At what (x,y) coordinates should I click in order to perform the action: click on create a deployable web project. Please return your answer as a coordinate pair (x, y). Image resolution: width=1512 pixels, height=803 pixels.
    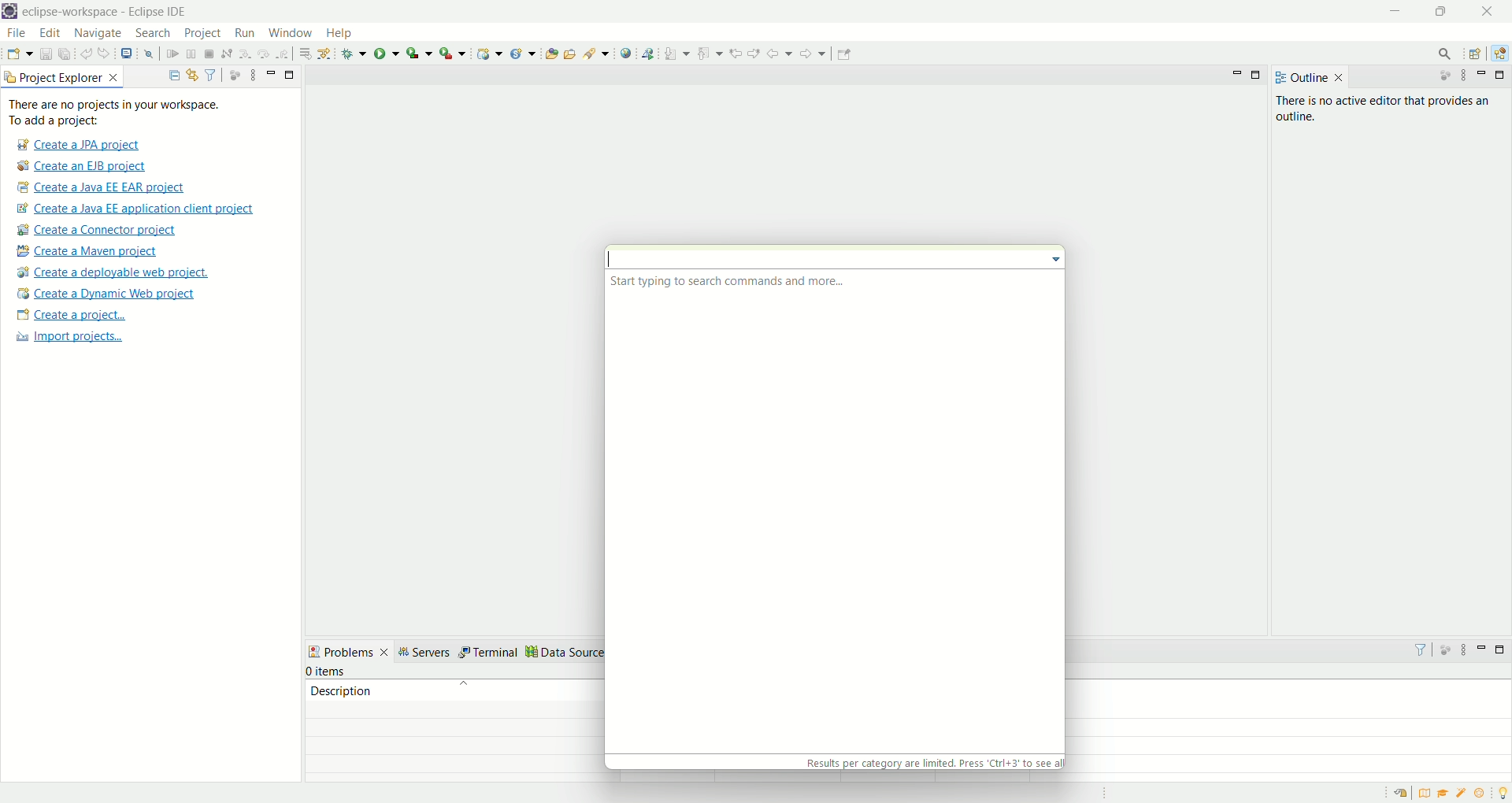
    Looking at the image, I should click on (113, 272).